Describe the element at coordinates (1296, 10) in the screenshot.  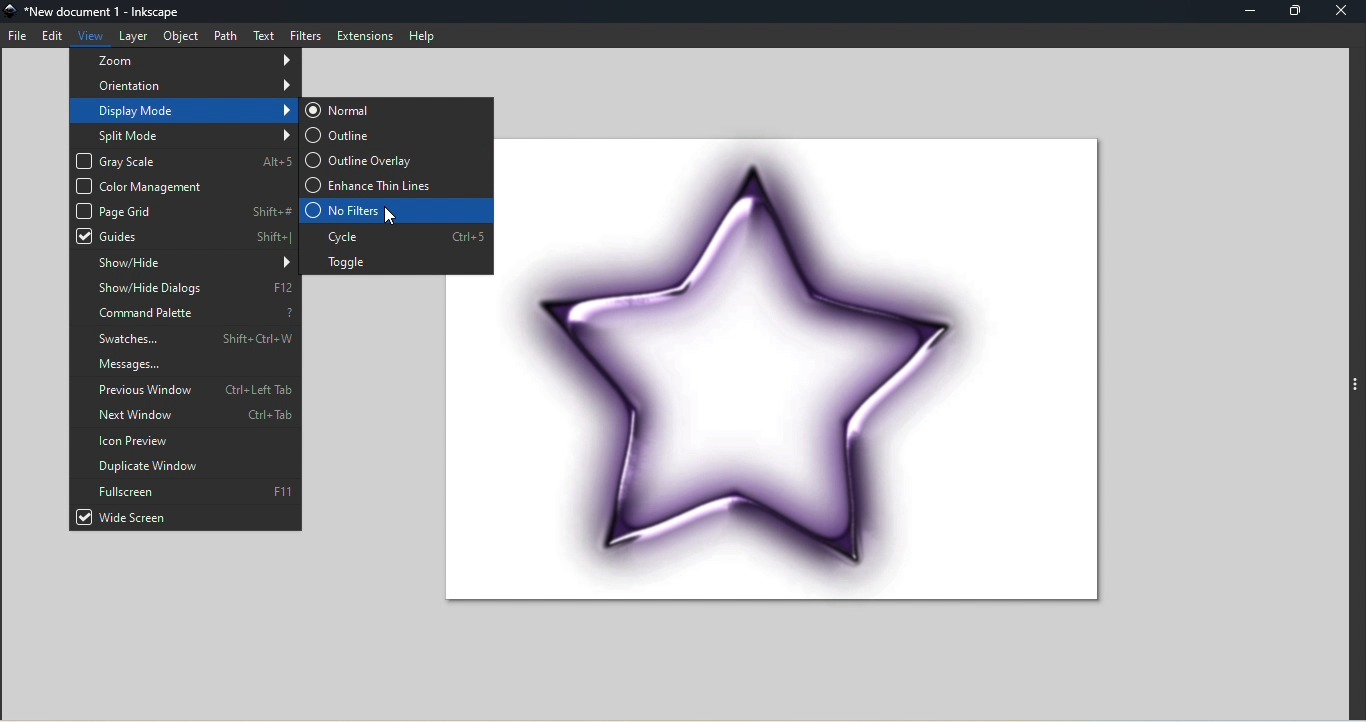
I see `Maximize` at that location.